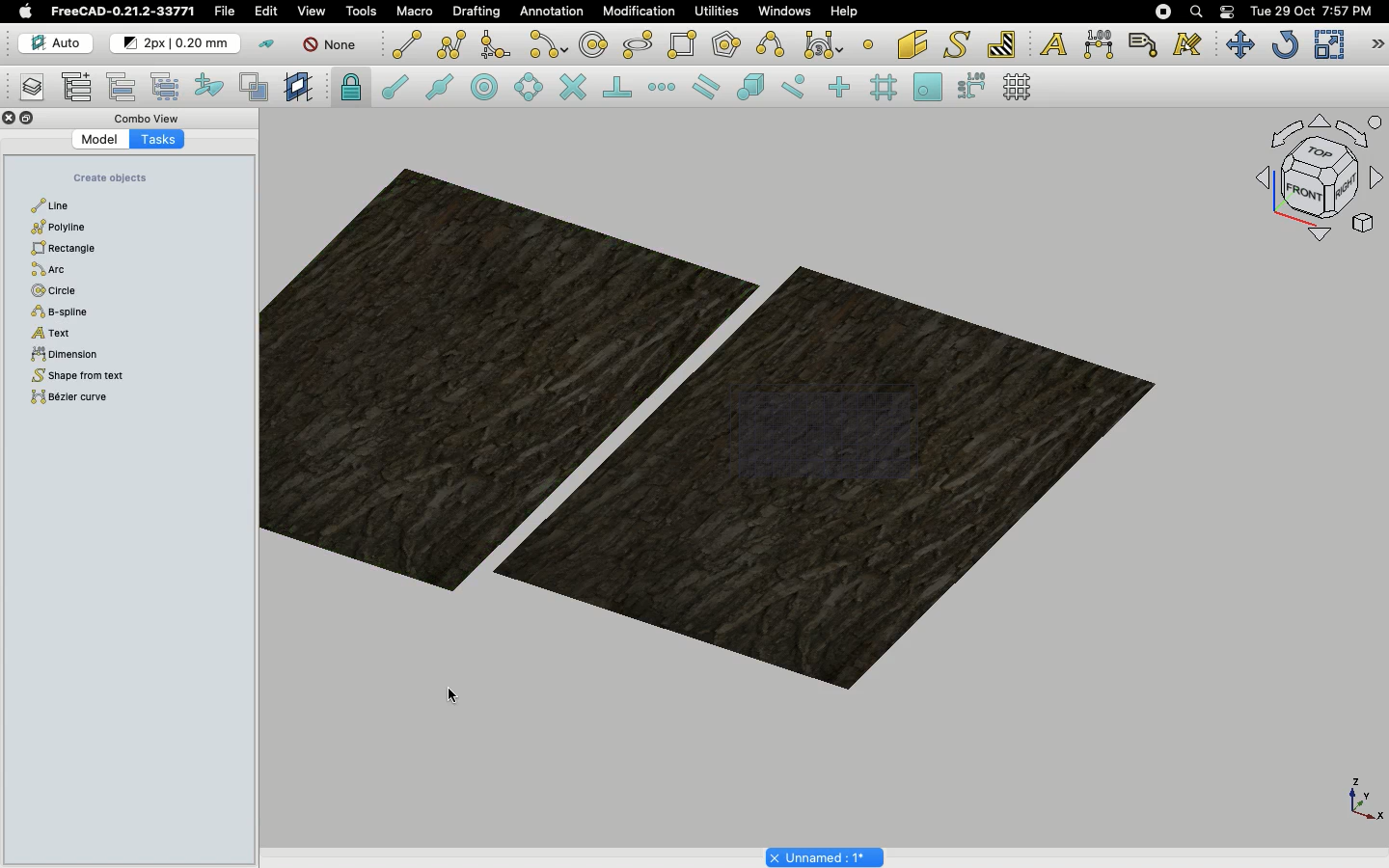 The image size is (1389, 868). I want to click on Snap center, so click(490, 86).